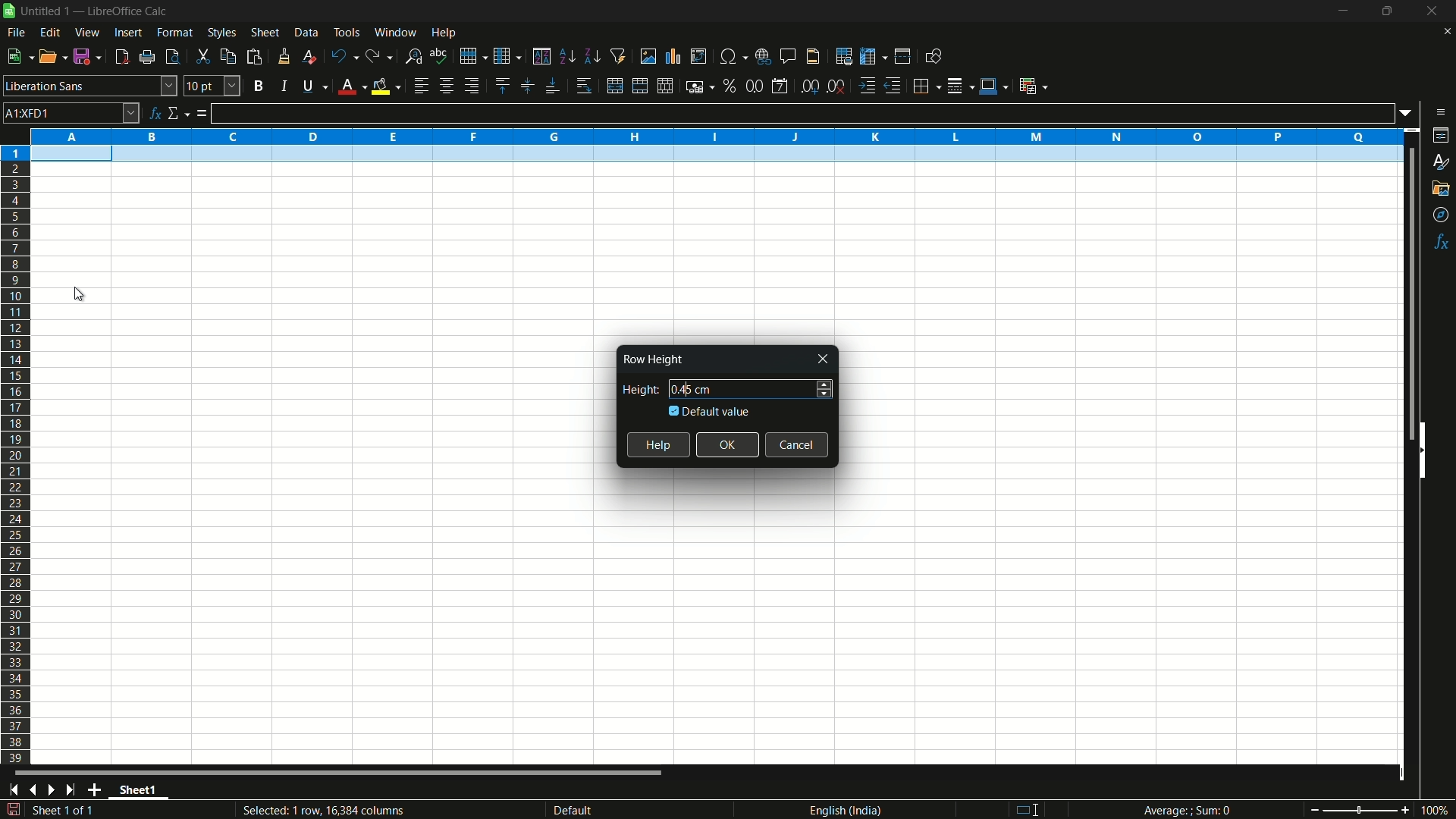  What do you see at coordinates (825, 382) in the screenshot?
I see `increase height` at bounding box center [825, 382].